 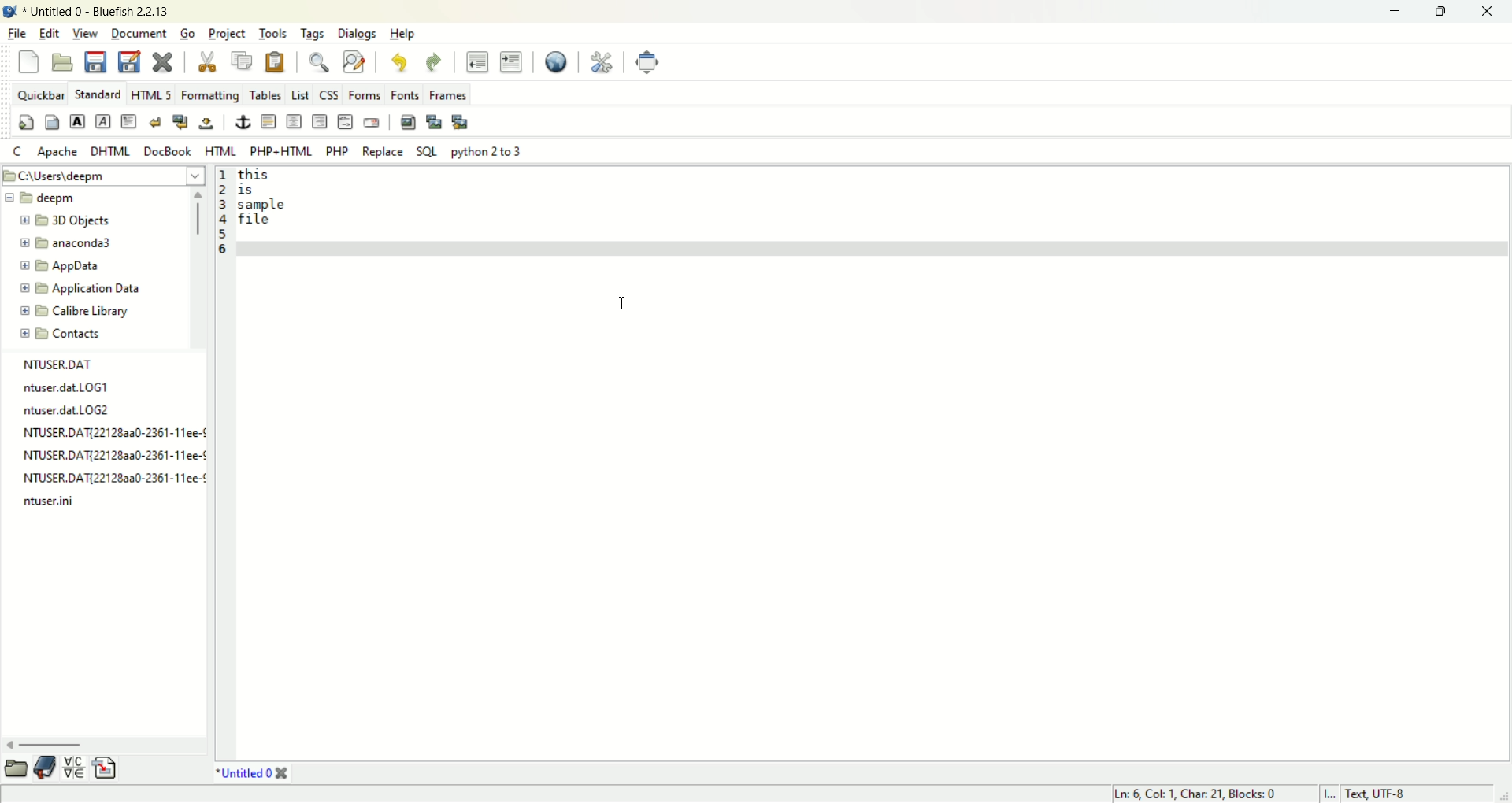 What do you see at coordinates (57, 154) in the screenshot?
I see `Apache` at bounding box center [57, 154].